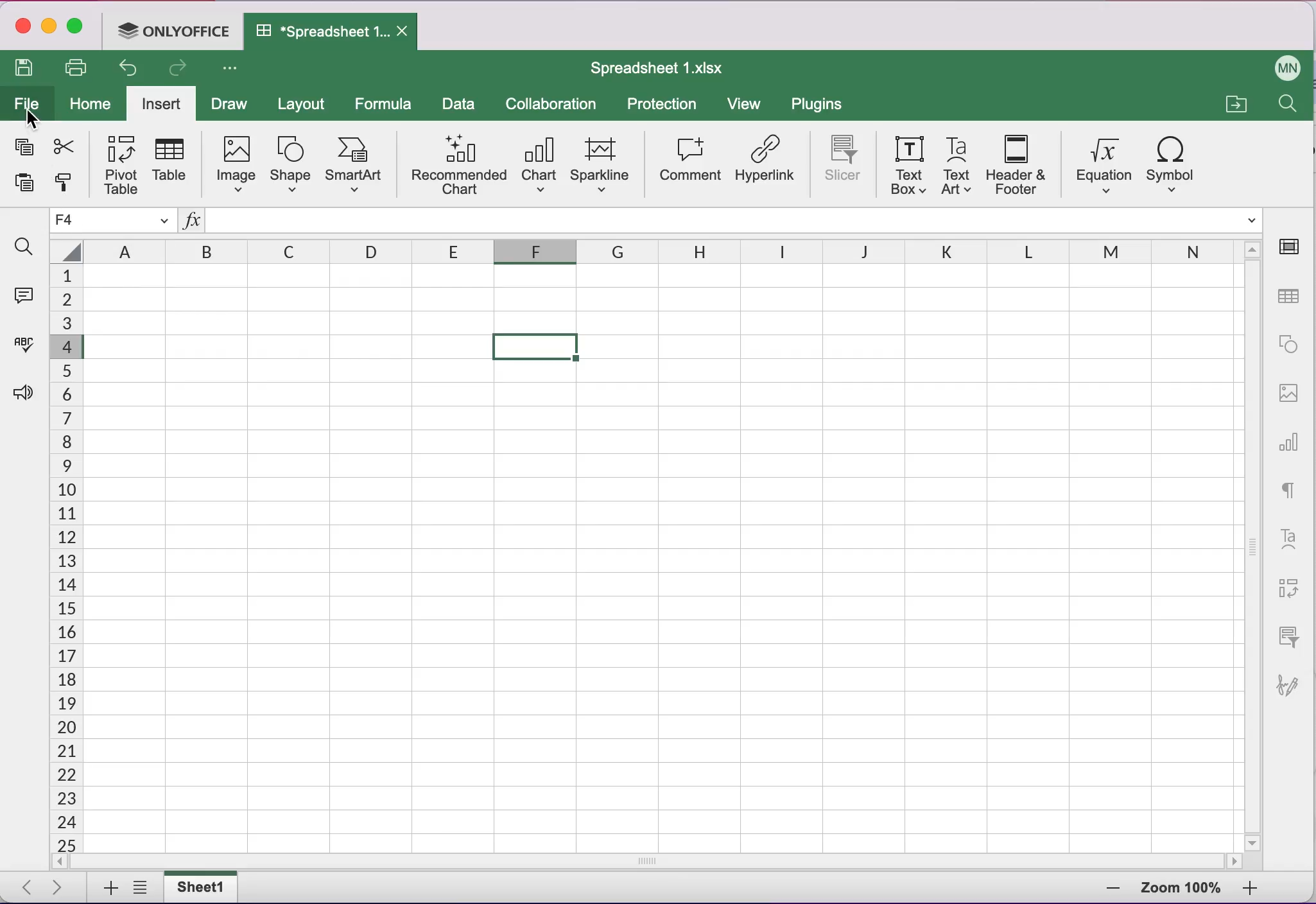 The height and width of the screenshot is (904, 1316). What do you see at coordinates (160, 101) in the screenshot?
I see `insert` at bounding box center [160, 101].